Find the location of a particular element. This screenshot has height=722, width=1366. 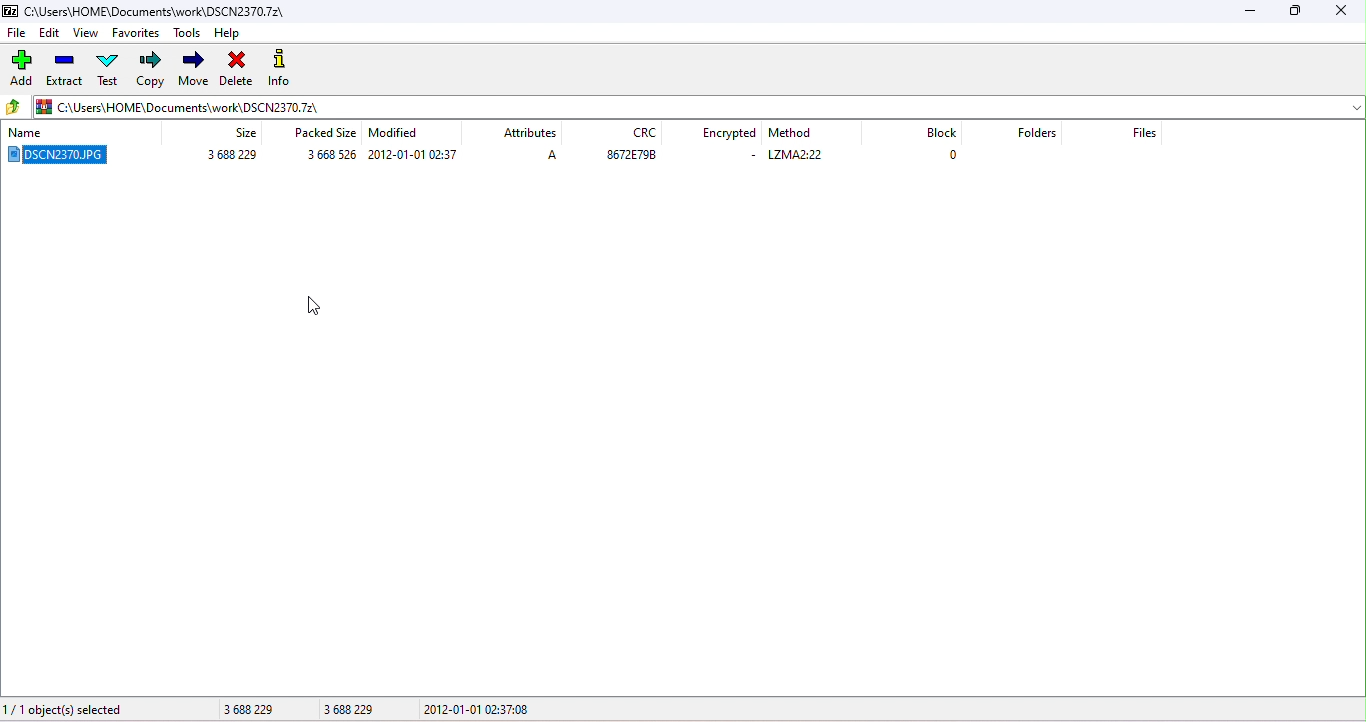

name is located at coordinates (38, 132).